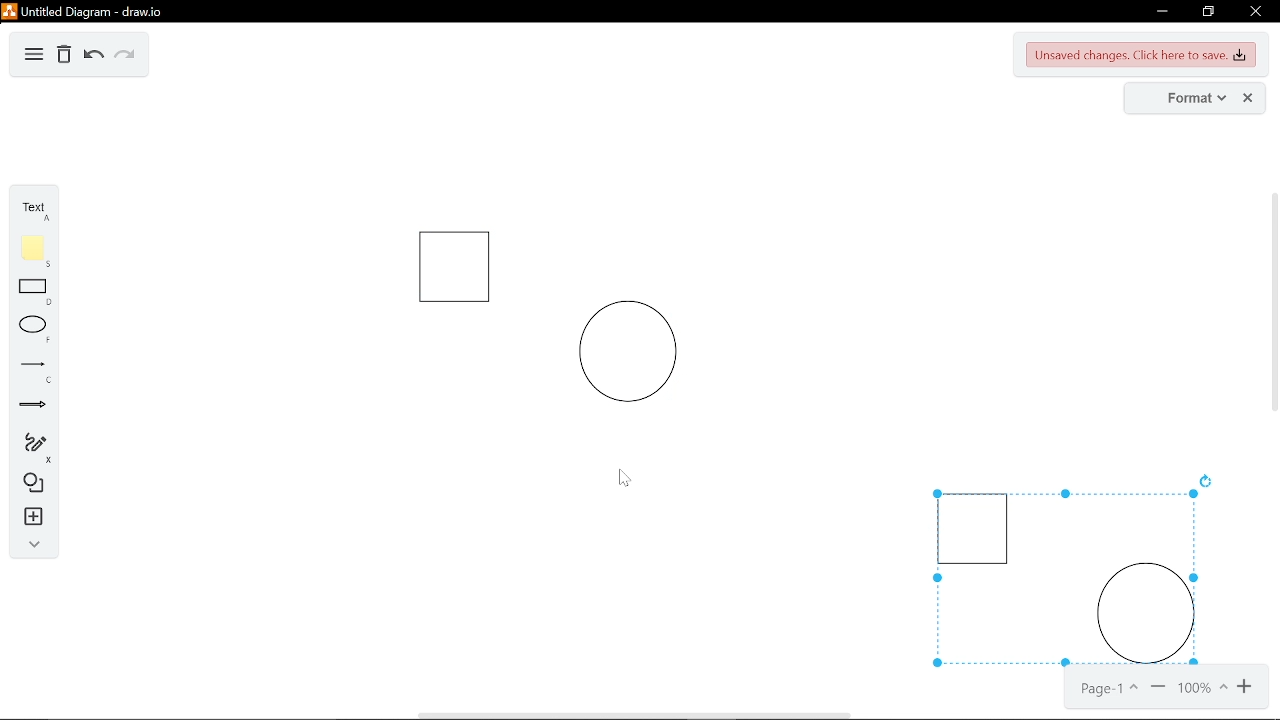 Image resolution: width=1280 pixels, height=720 pixels. What do you see at coordinates (1254, 11) in the screenshot?
I see `close` at bounding box center [1254, 11].